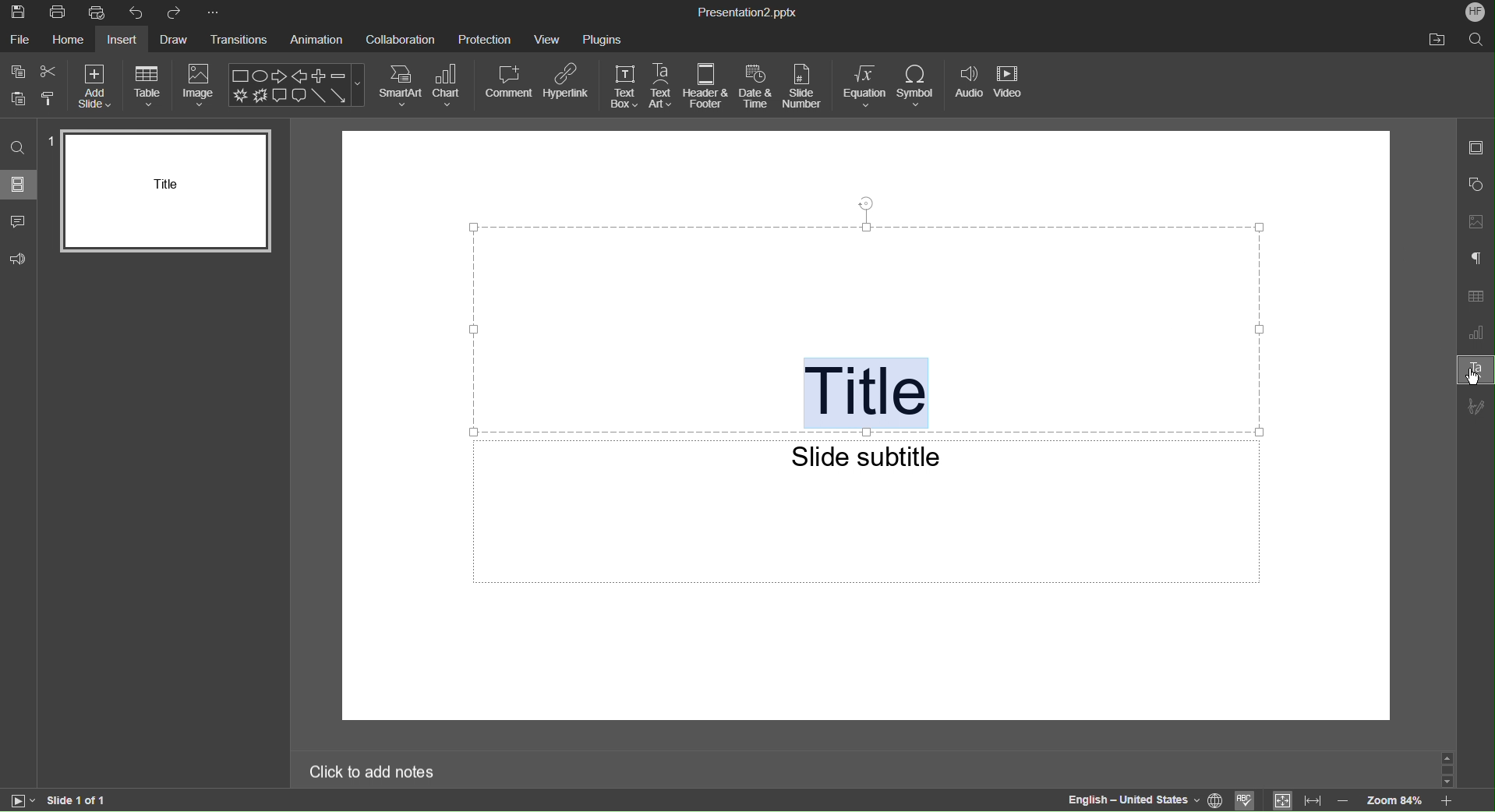 This screenshot has height=812, width=1495. Describe the element at coordinates (806, 86) in the screenshot. I see `Slide Number` at that location.